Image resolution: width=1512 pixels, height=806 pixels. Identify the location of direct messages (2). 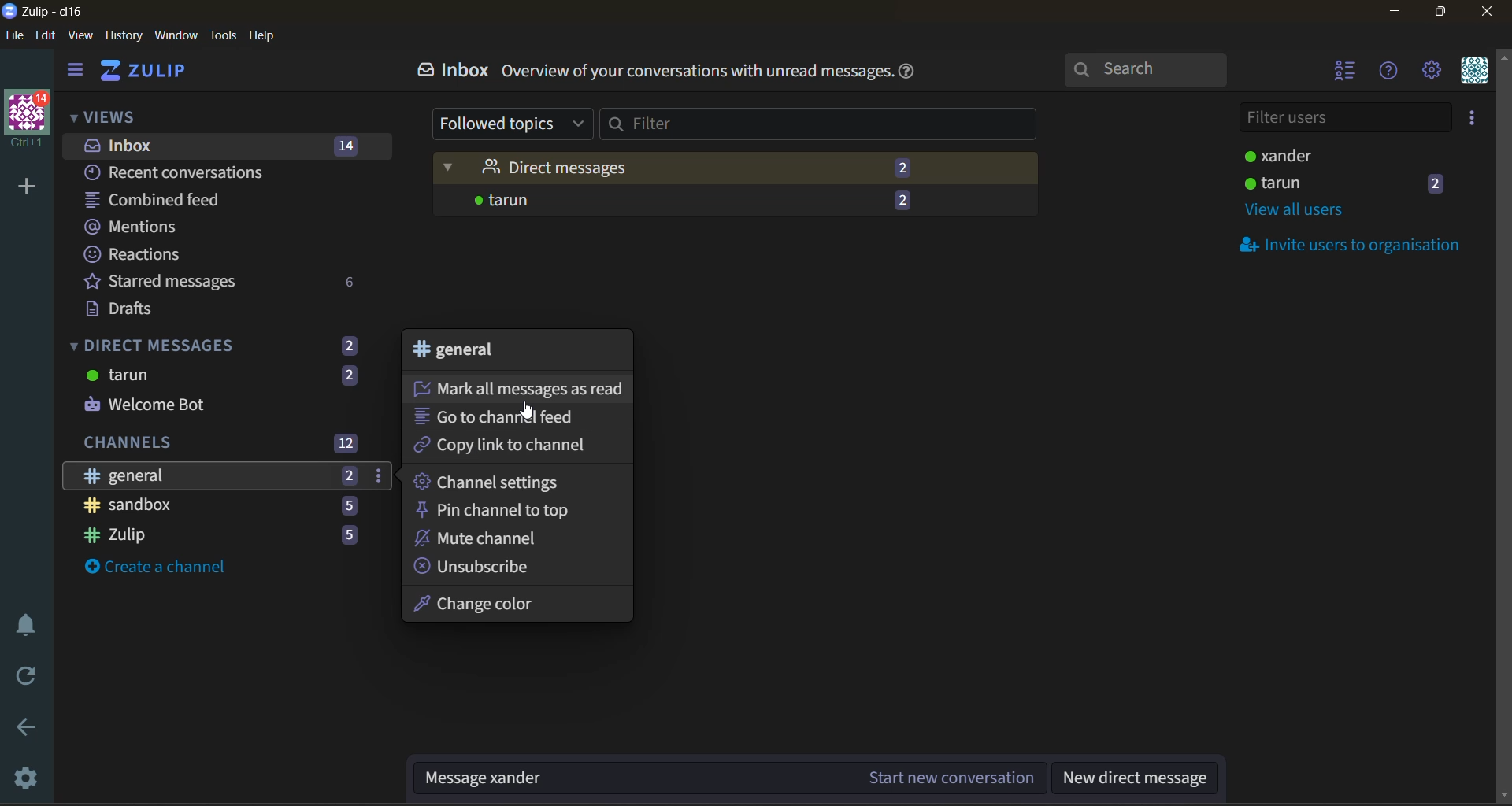
(218, 343).